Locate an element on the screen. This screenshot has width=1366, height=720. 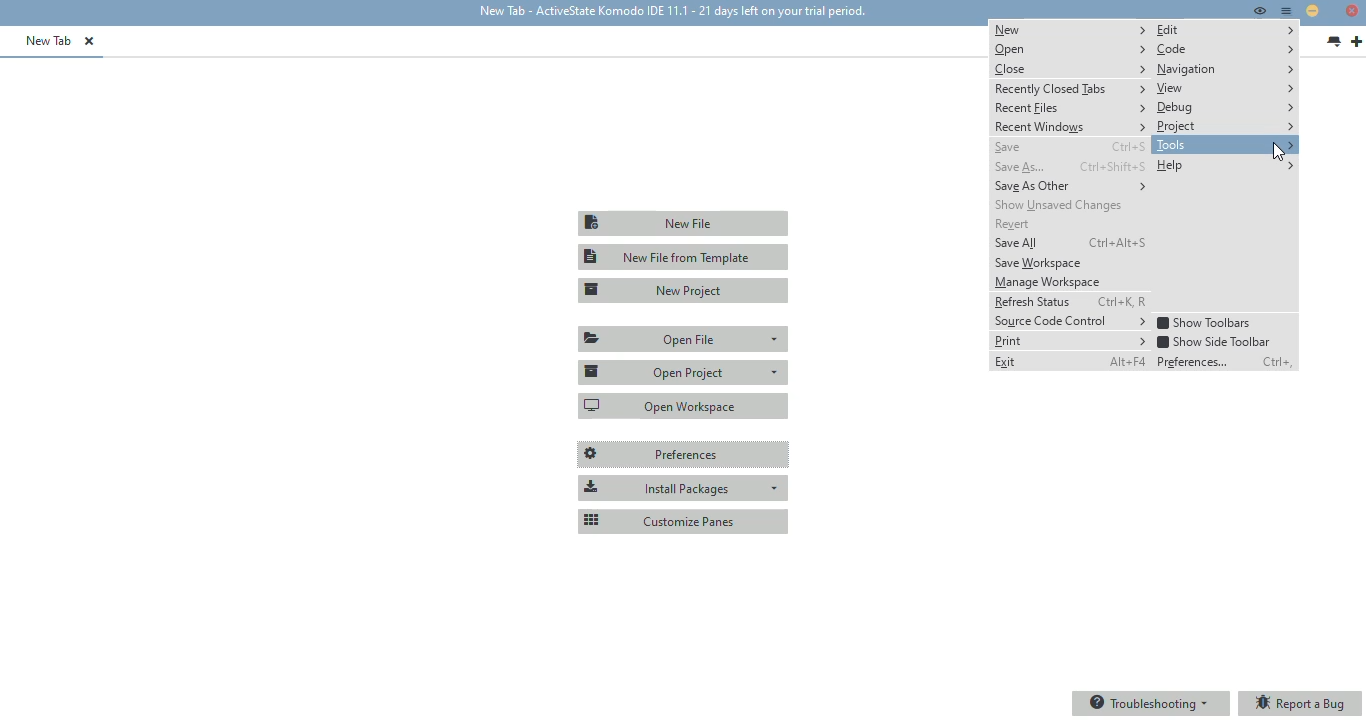
shortcut for save is located at coordinates (1128, 146).